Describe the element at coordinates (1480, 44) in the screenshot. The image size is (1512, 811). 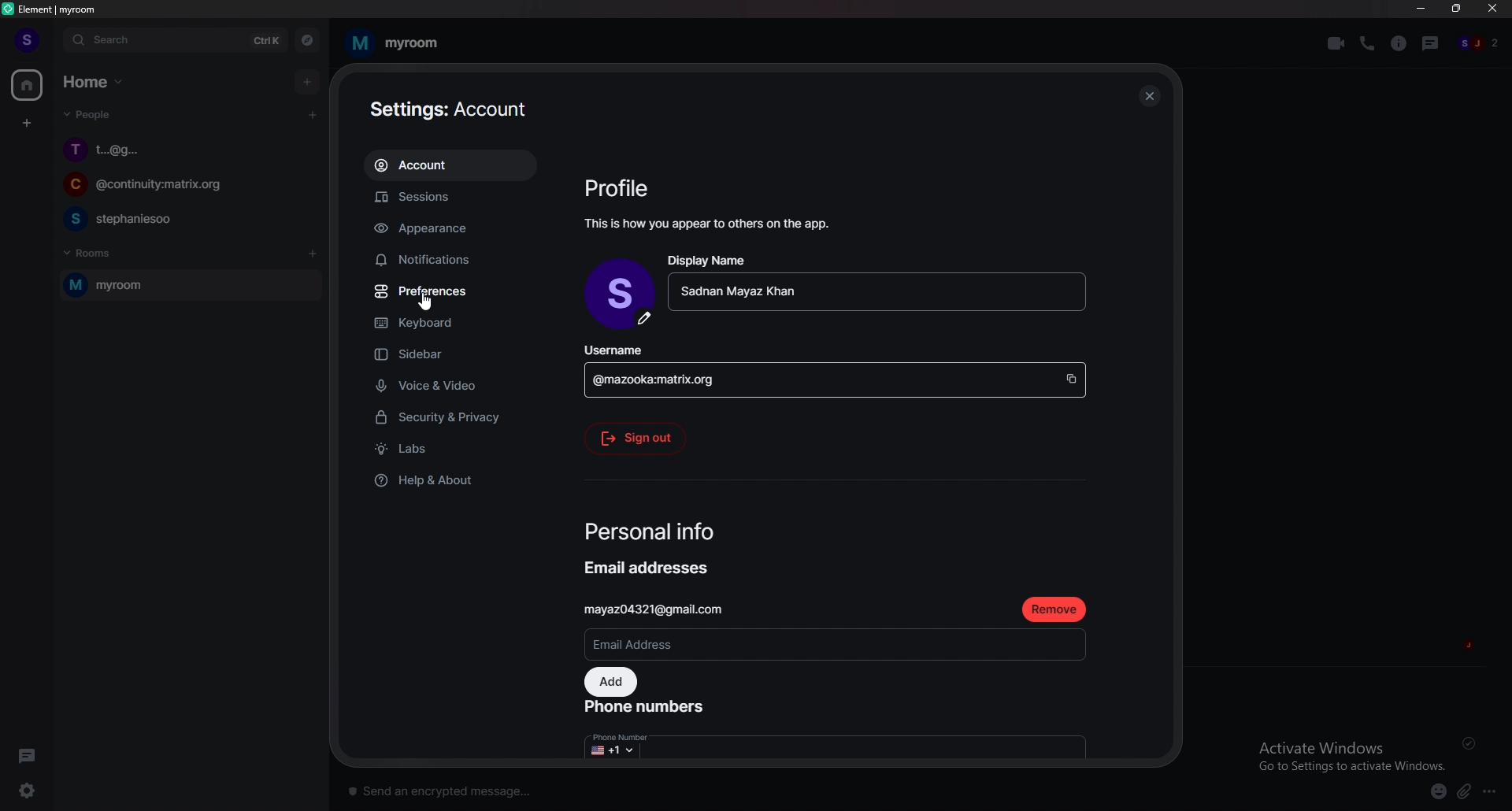
I see `people` at that location.